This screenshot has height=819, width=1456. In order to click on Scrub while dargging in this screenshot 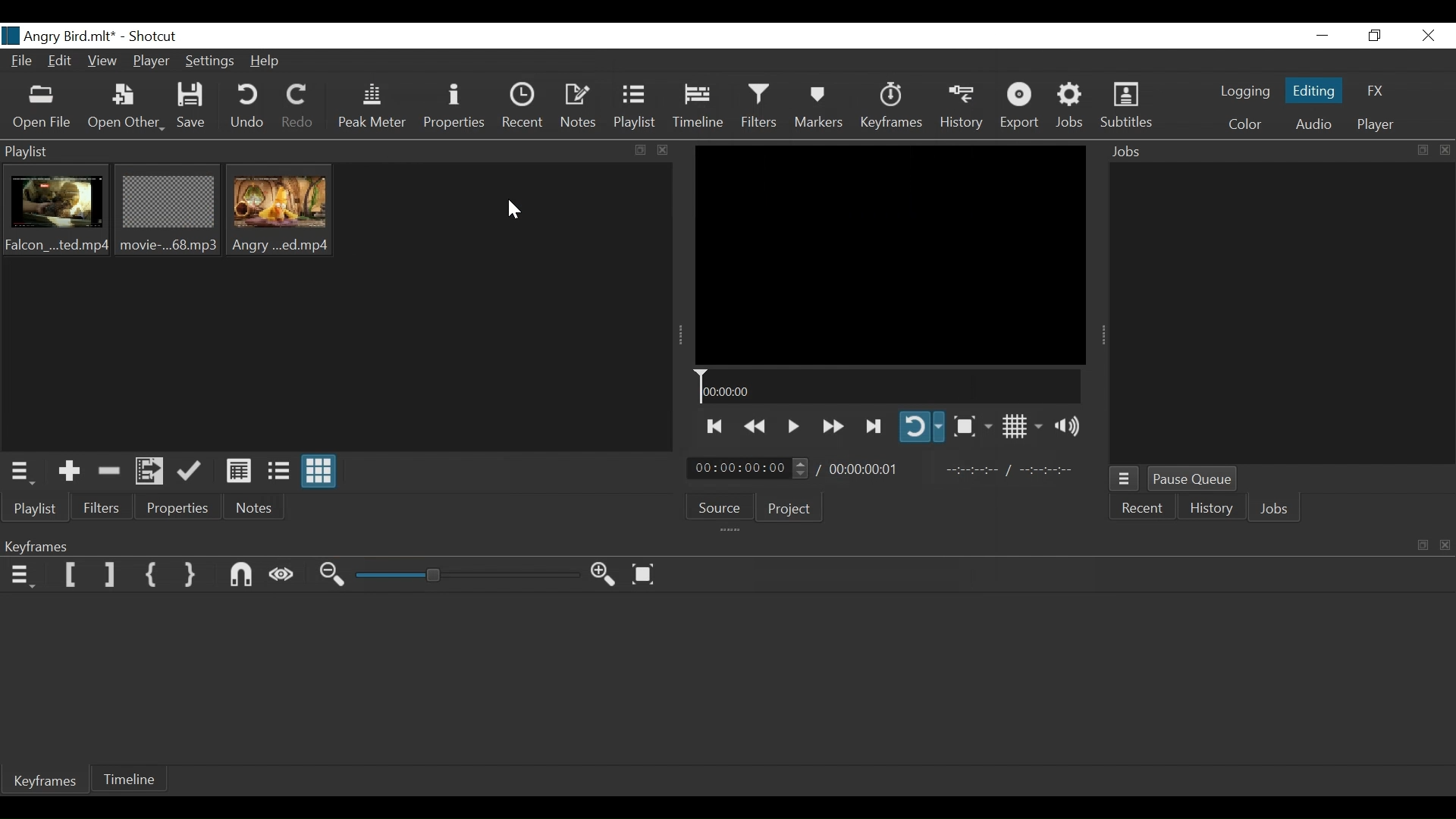, I will do `click(285, 576)`.